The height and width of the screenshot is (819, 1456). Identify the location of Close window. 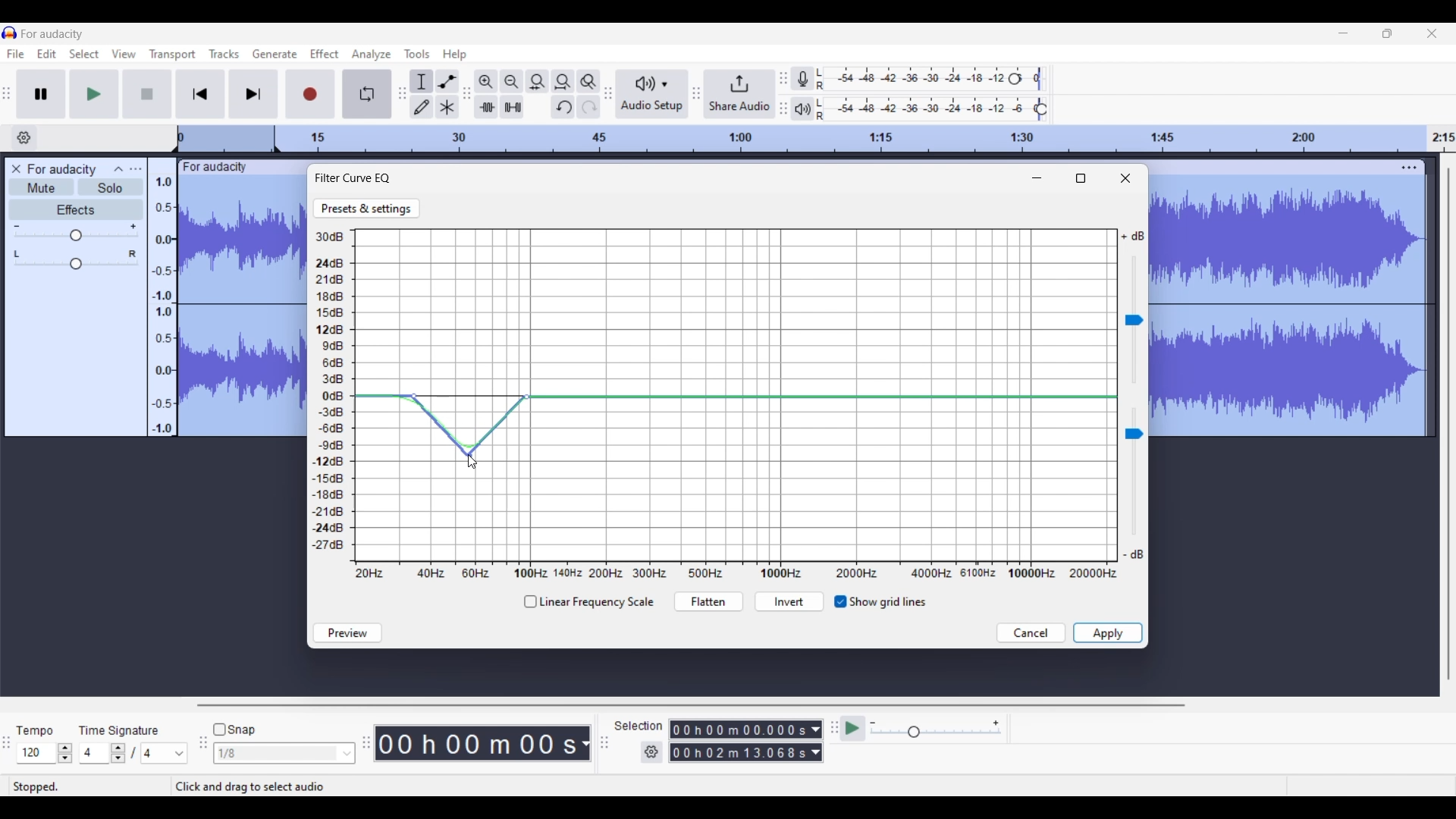
(1125, 178).